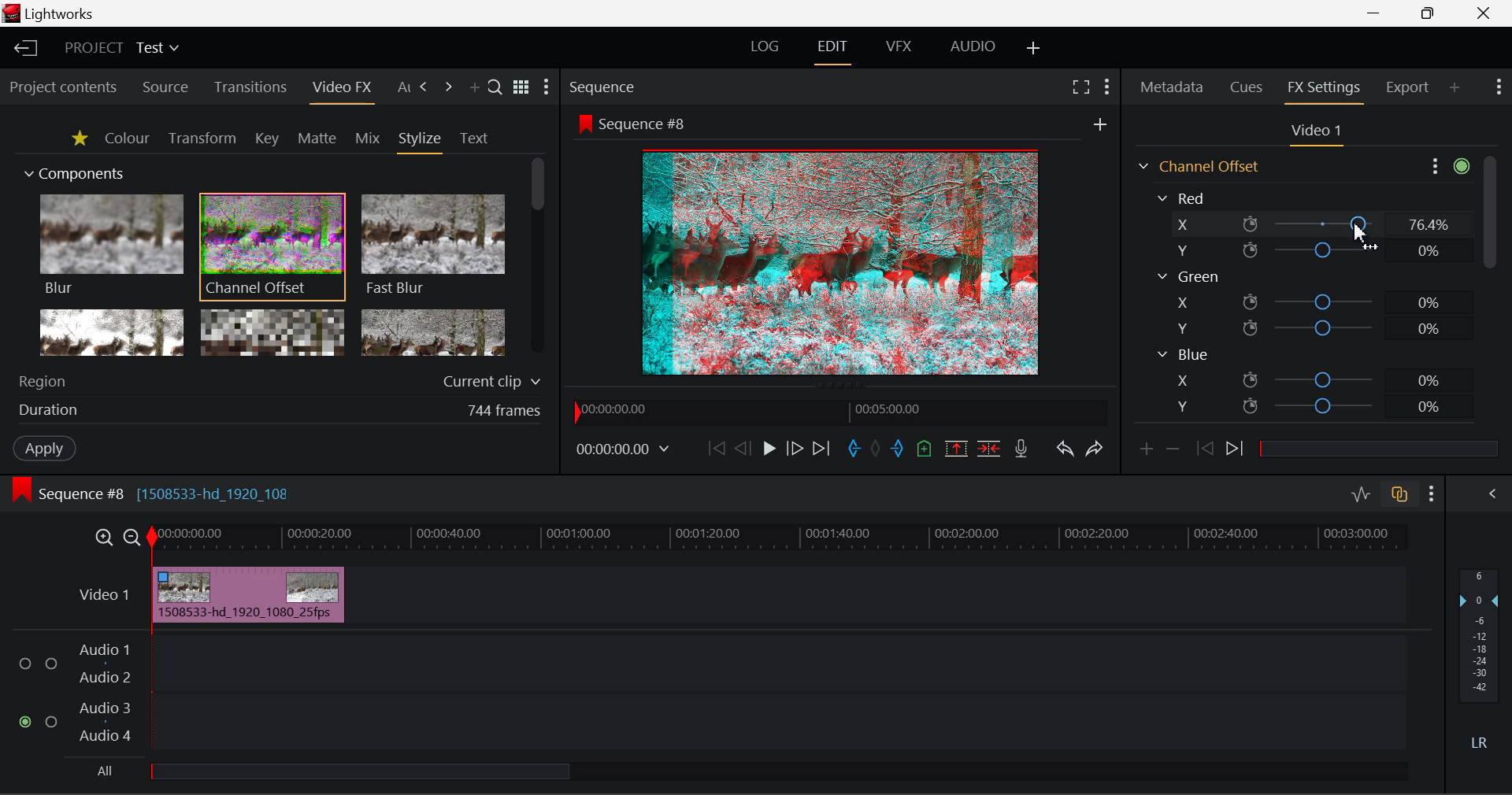  What do you see at coordinates (795, 450) in the screenshot?
I see `Go Forward` at bounding box center [795, 450].